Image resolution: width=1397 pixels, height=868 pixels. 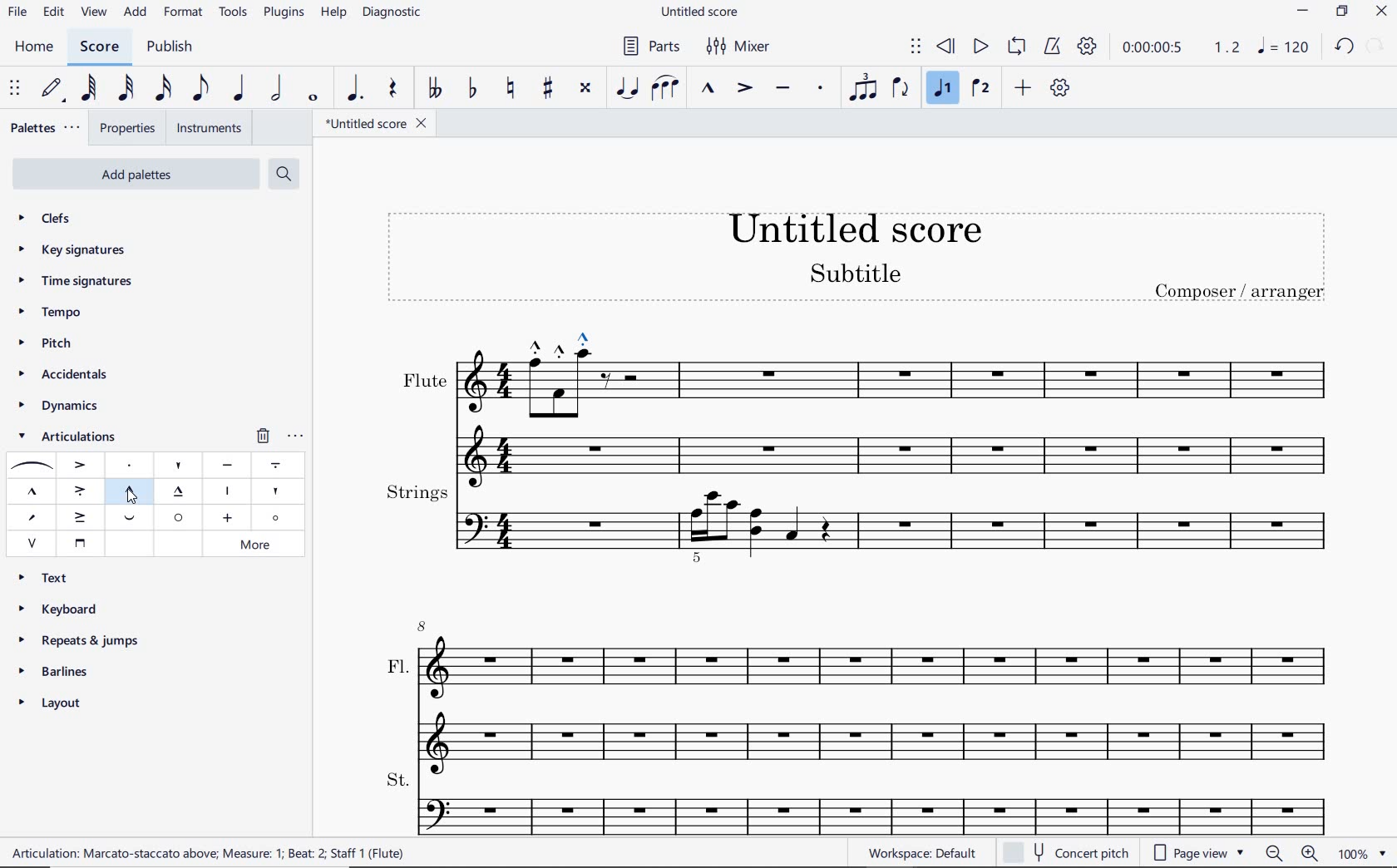 What do you see at coordinates (1068, 851) in the screenshot?
I see `concert pitch` at bounding box center [1068, 851].